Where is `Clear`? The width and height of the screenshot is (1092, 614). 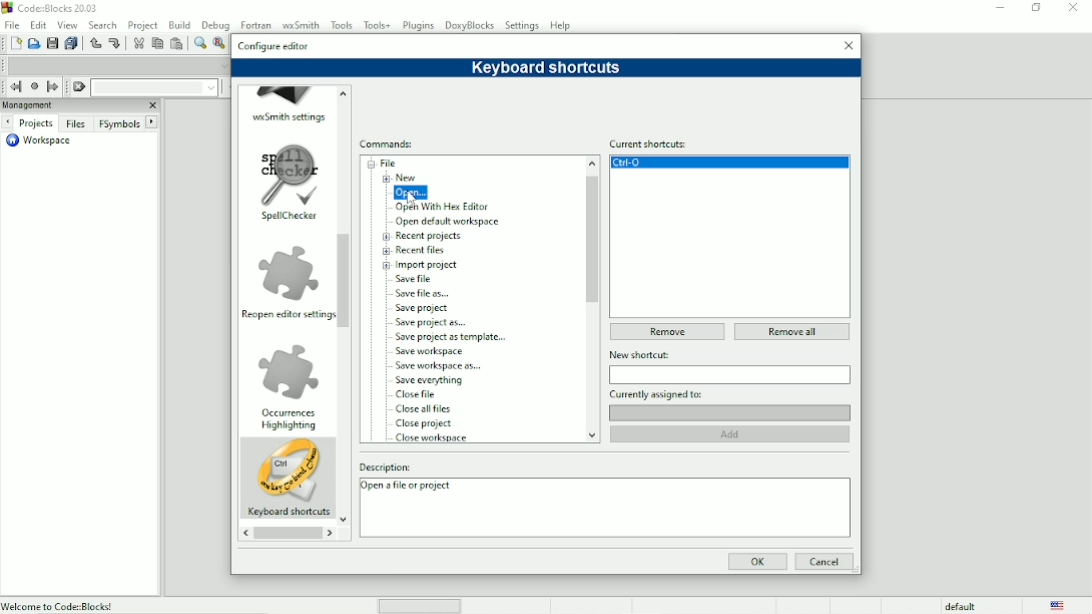
Clear is located at coordinates (79, 87).